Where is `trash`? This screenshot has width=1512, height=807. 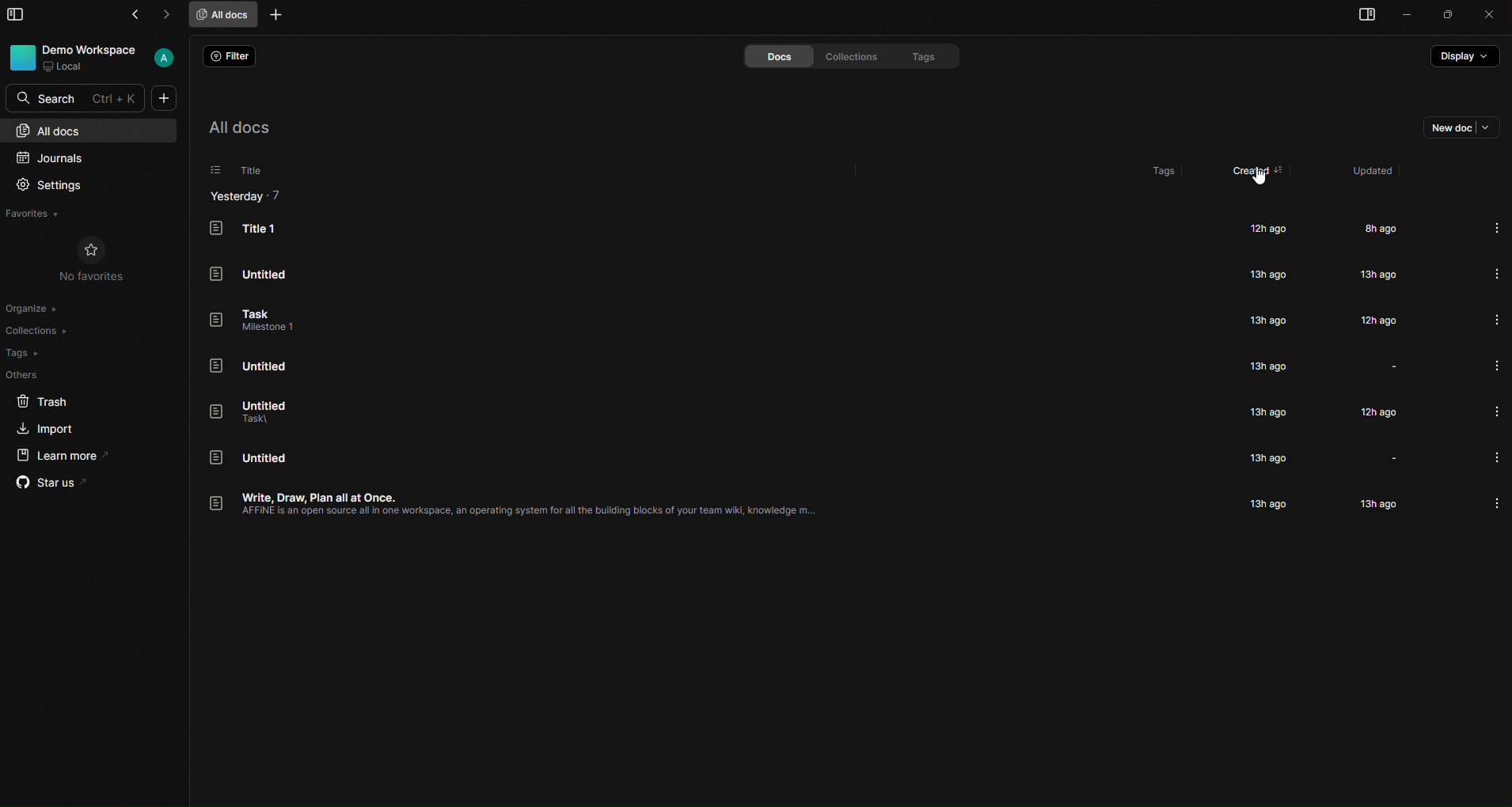
trash is located at coordinates (44, 400).